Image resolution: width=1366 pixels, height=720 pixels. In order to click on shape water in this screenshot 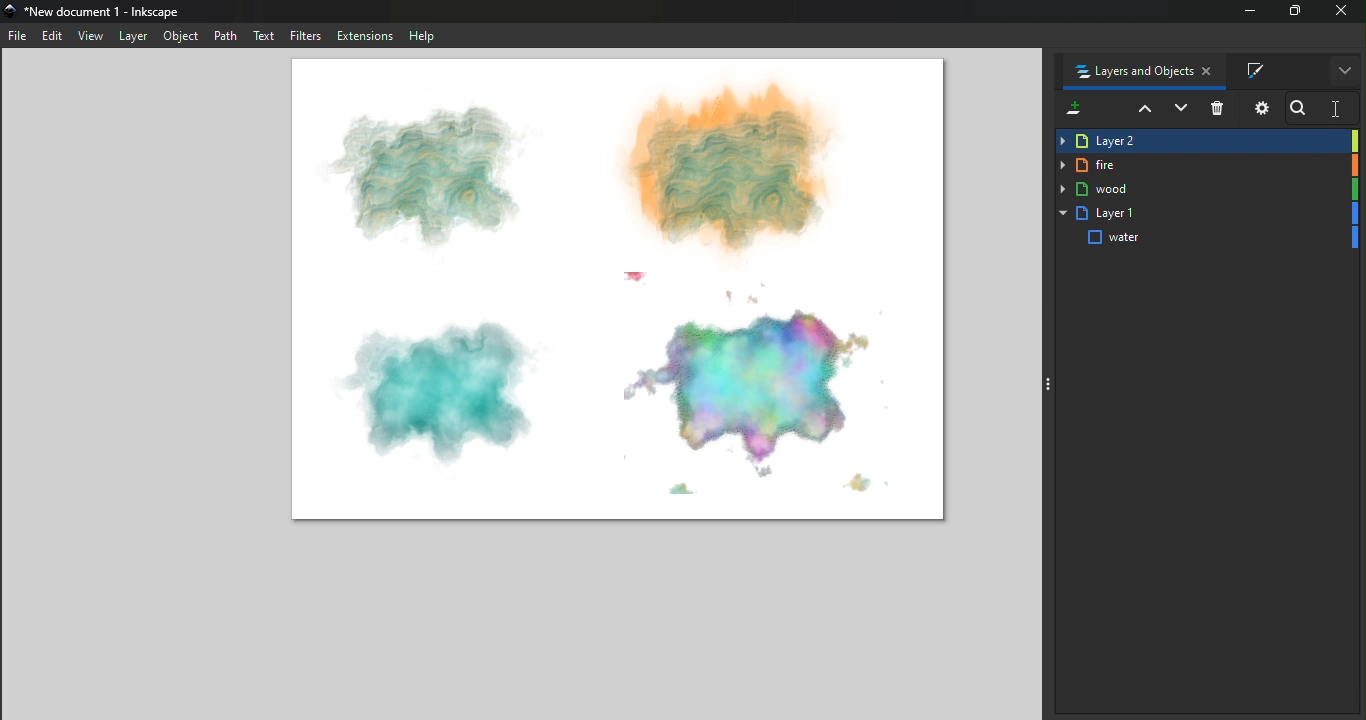, I will do `click(1208, 238)`.